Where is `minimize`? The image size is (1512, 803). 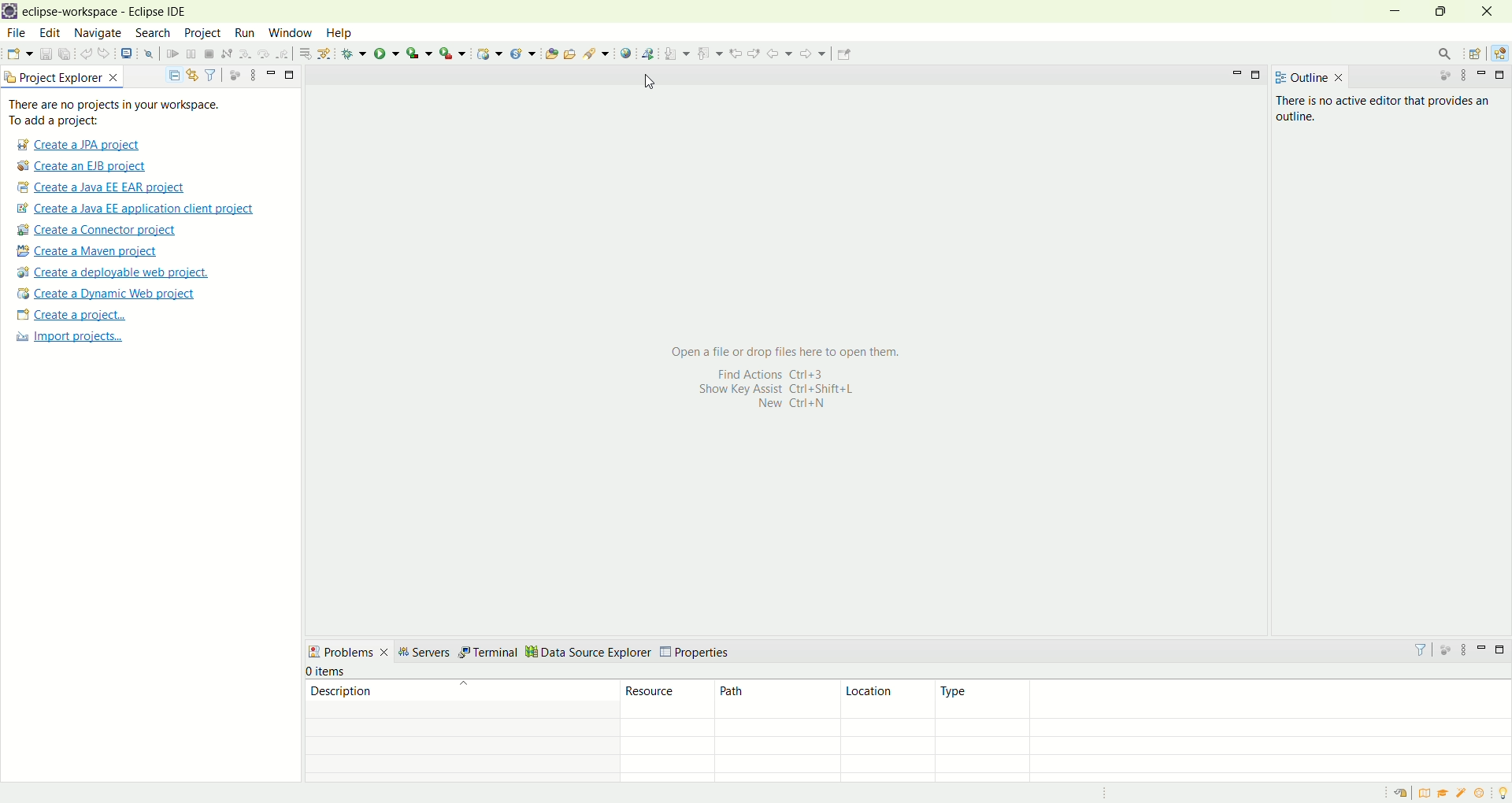 minimize is located at coordinates (1397, 12).